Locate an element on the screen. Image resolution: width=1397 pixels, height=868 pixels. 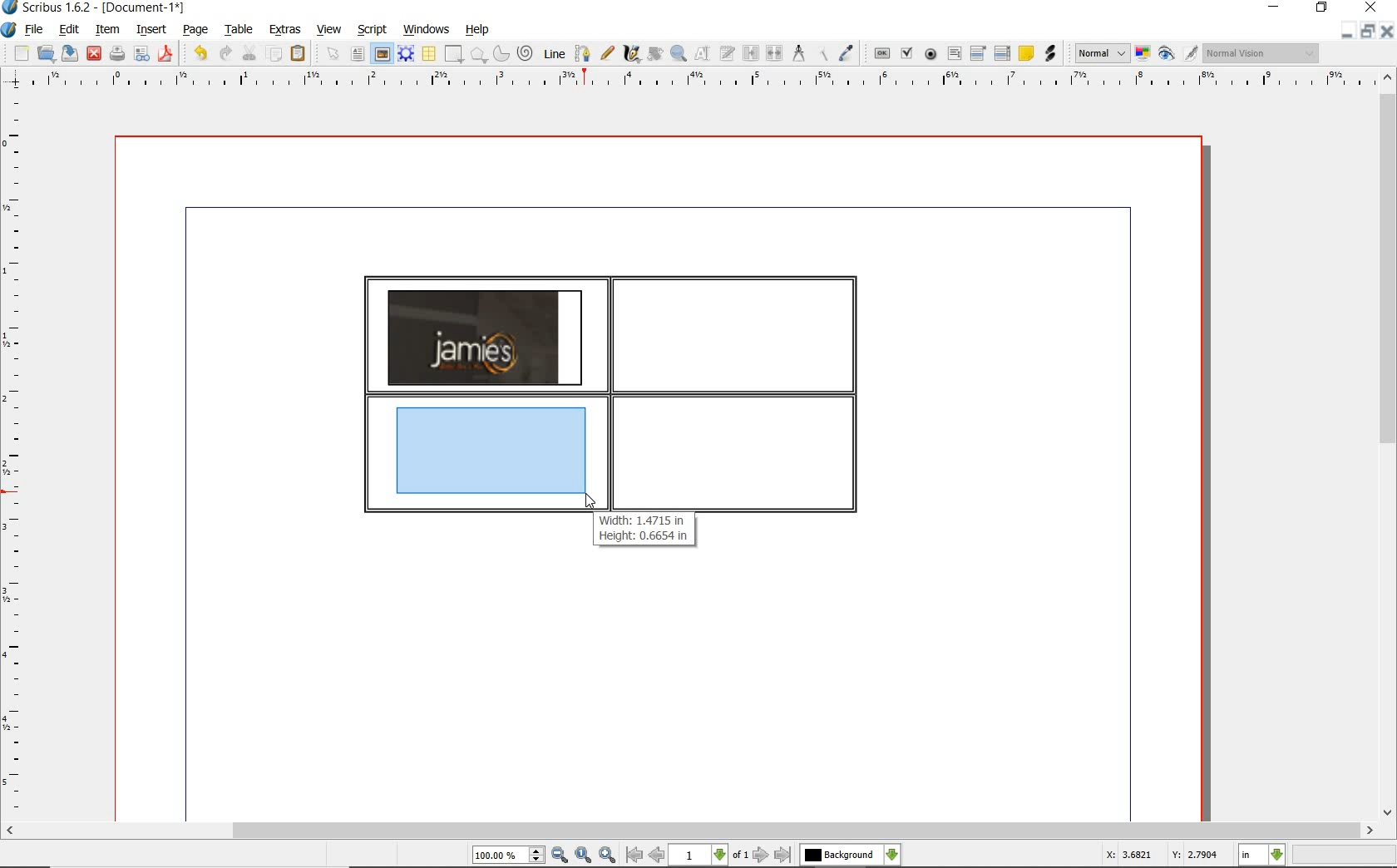
text frame is located at coordinates (358, 56).